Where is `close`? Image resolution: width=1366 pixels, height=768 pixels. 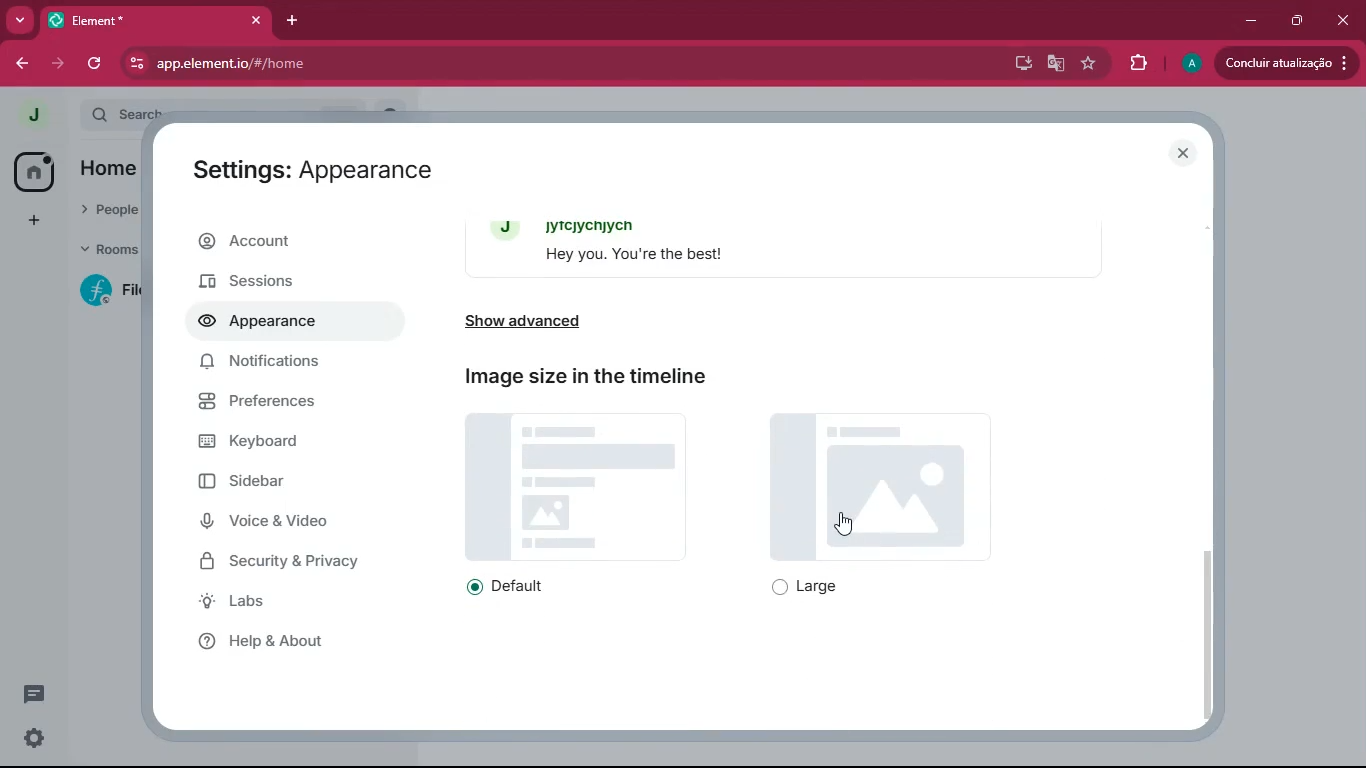 close is located at coordinates (256, 20).